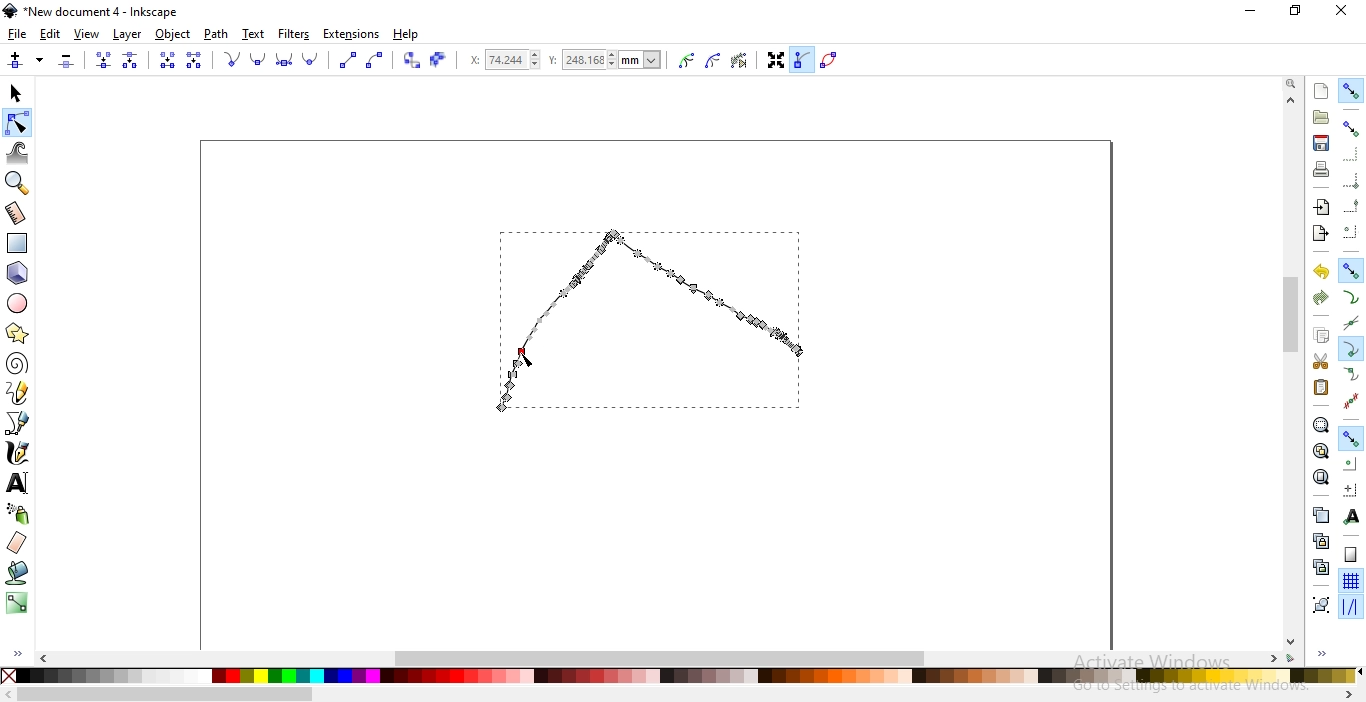  I want to click on X coordinate of selected nodes, so click(503, 63).